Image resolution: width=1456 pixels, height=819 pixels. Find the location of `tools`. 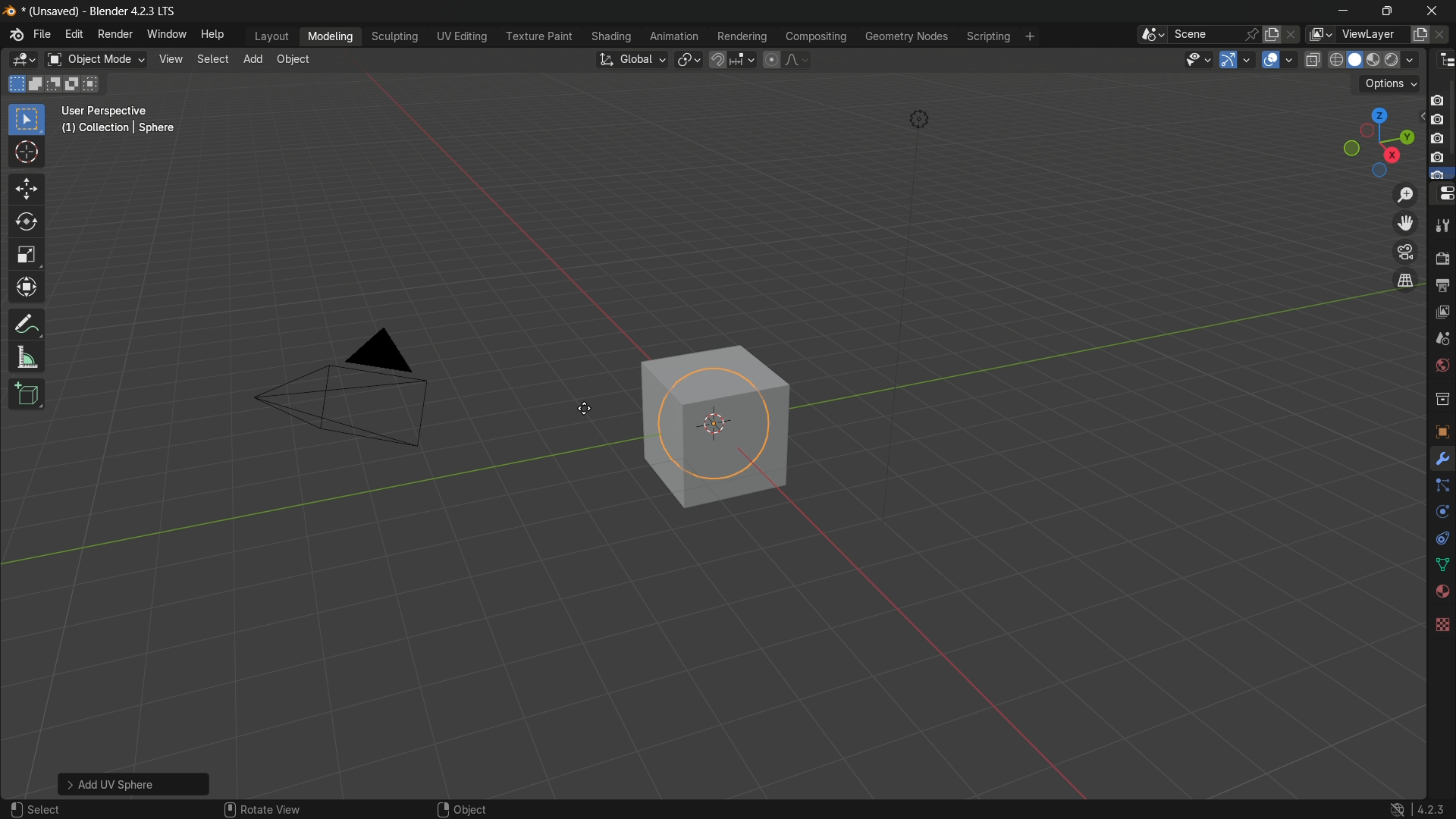

tools is located at coordinates (1442, 223).